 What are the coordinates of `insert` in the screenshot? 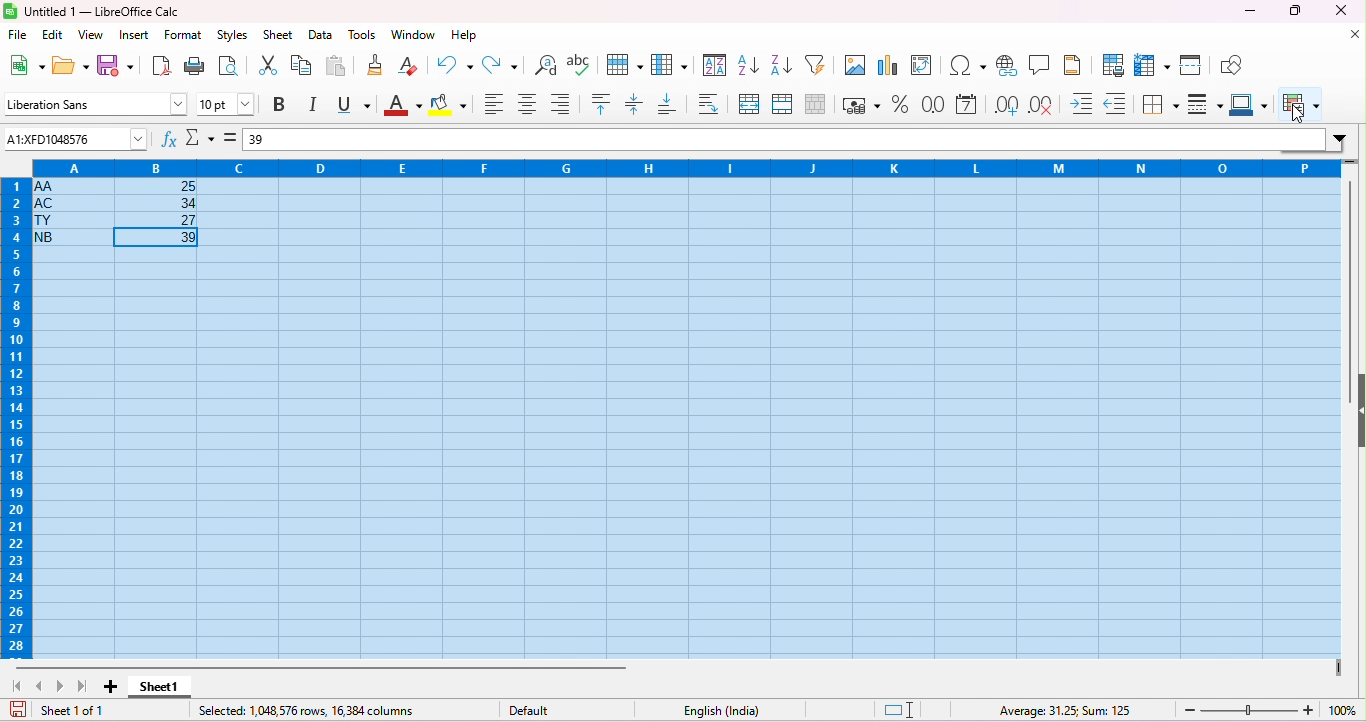 It's located at (133, 35).